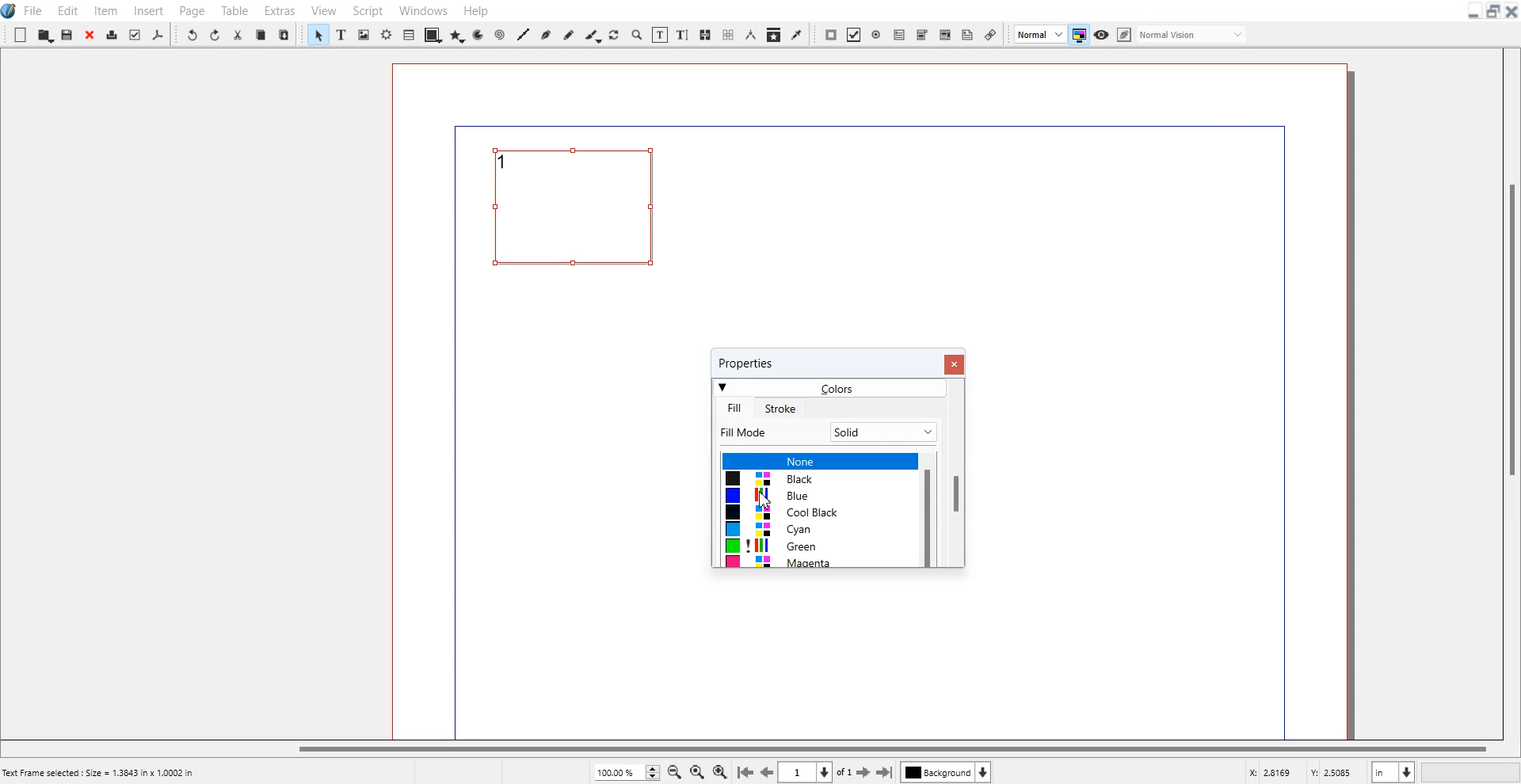  I want to click on Colors, so click(824, 388).